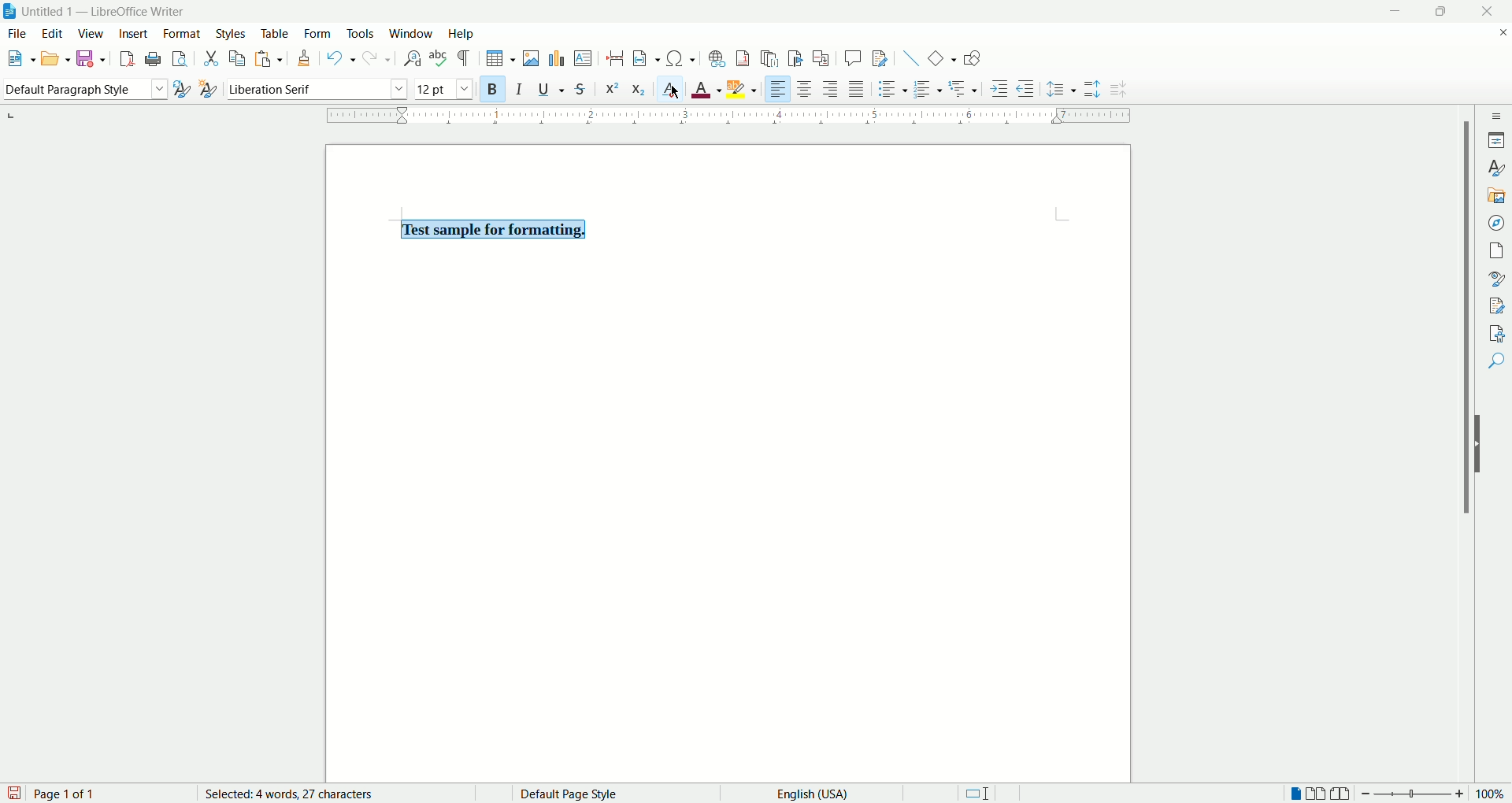 The height and width of the screenshot is (803, 1512). What do you see at coordinates (276, 33) in the screenshot?
I see `table` at bounding box center [276, 33].